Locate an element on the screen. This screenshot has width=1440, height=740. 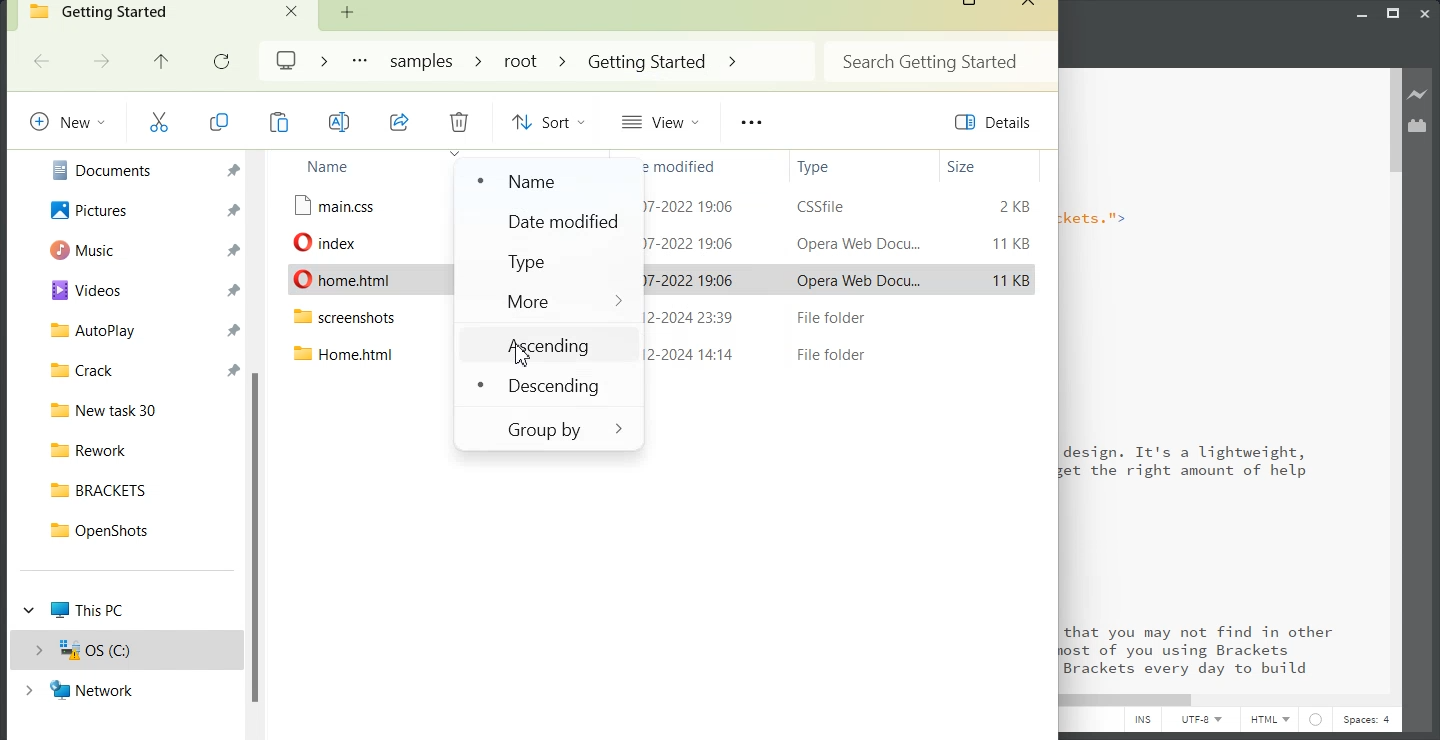
OS(C:) is located at coordinates (127, 649).